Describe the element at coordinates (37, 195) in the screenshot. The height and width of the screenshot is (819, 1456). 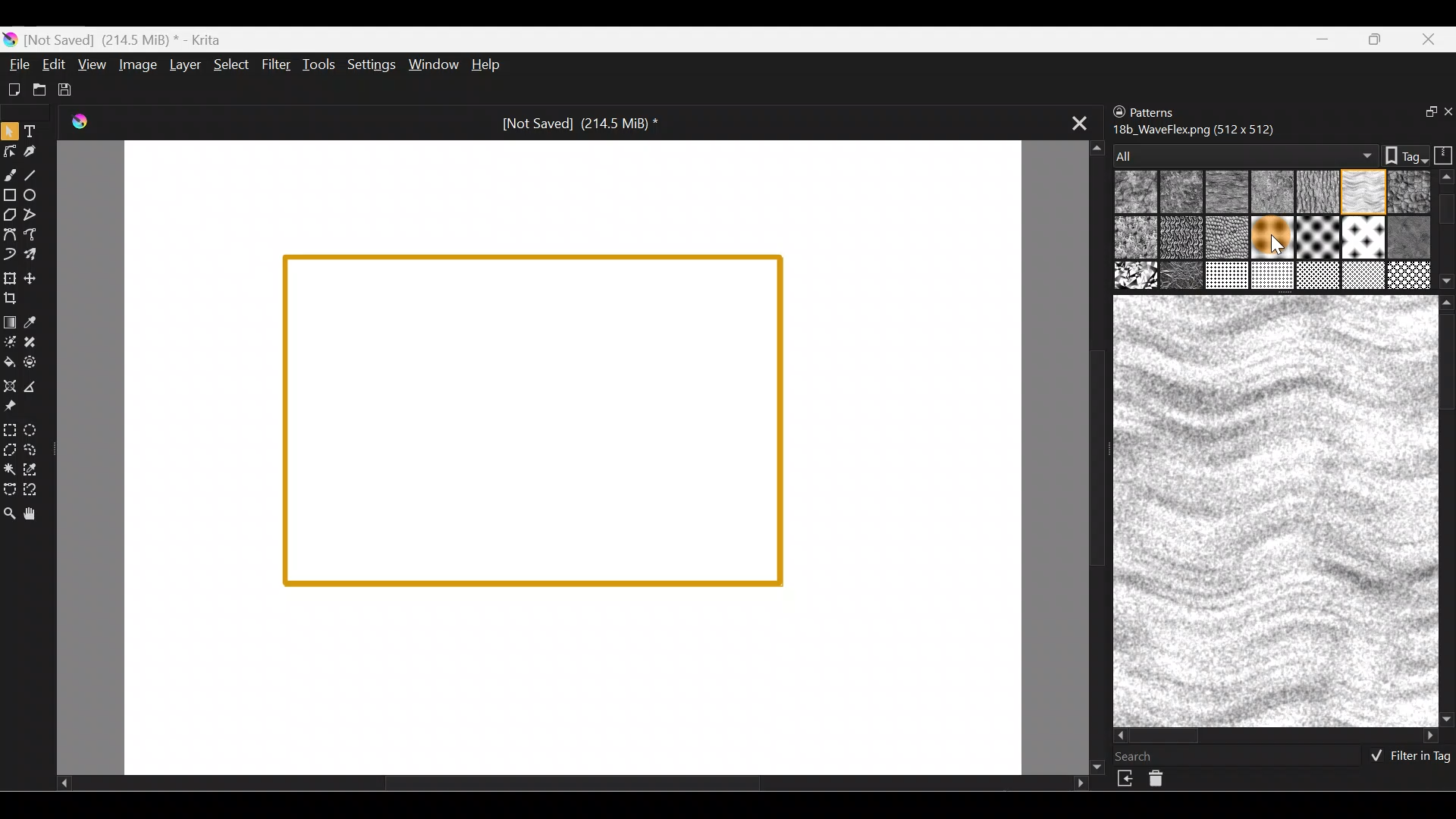
I see `Ellipse tool` at that location.